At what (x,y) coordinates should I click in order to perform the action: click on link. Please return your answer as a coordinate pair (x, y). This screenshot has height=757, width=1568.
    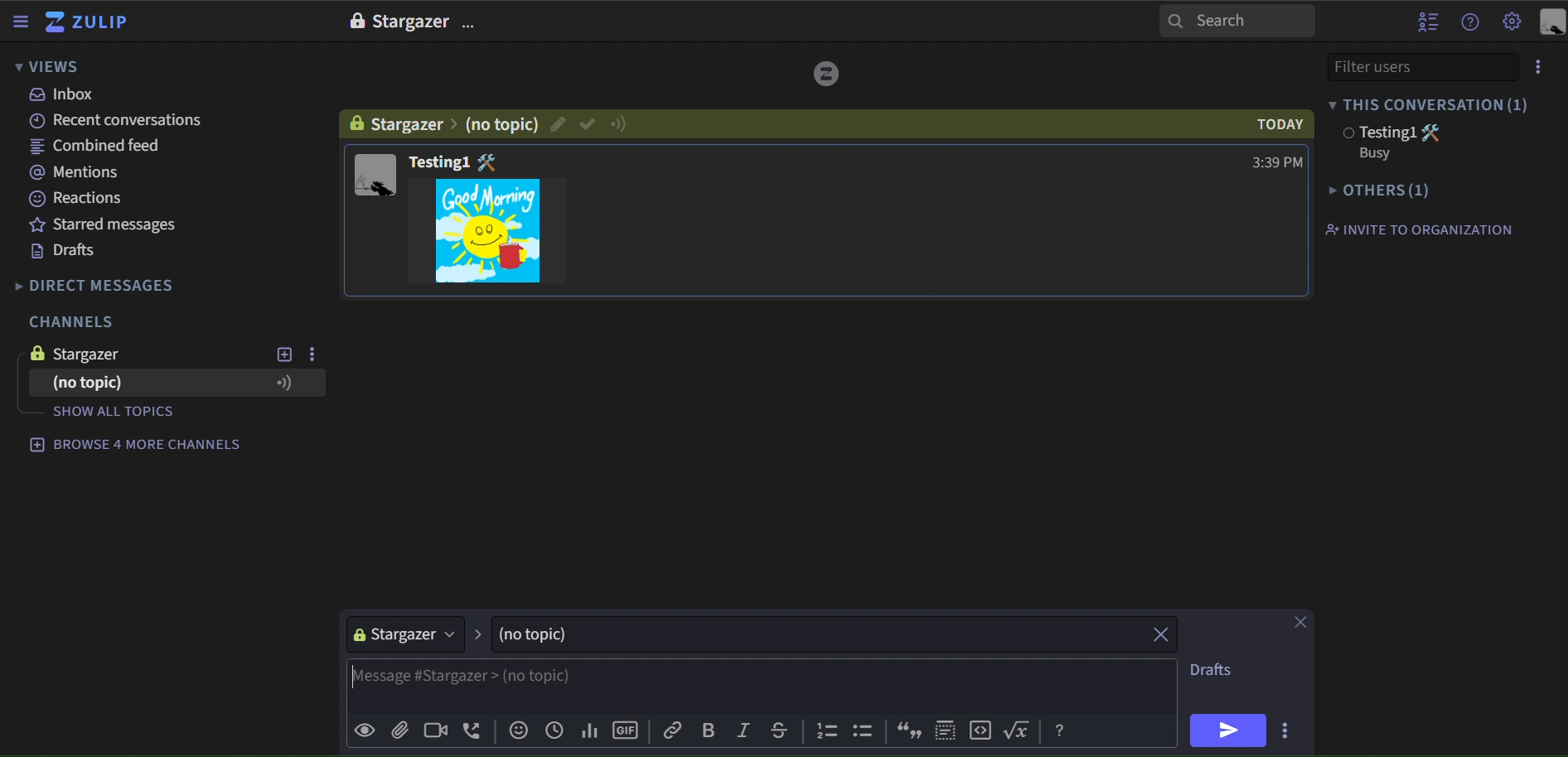
    Looking at the image, I should click on (675, 730).